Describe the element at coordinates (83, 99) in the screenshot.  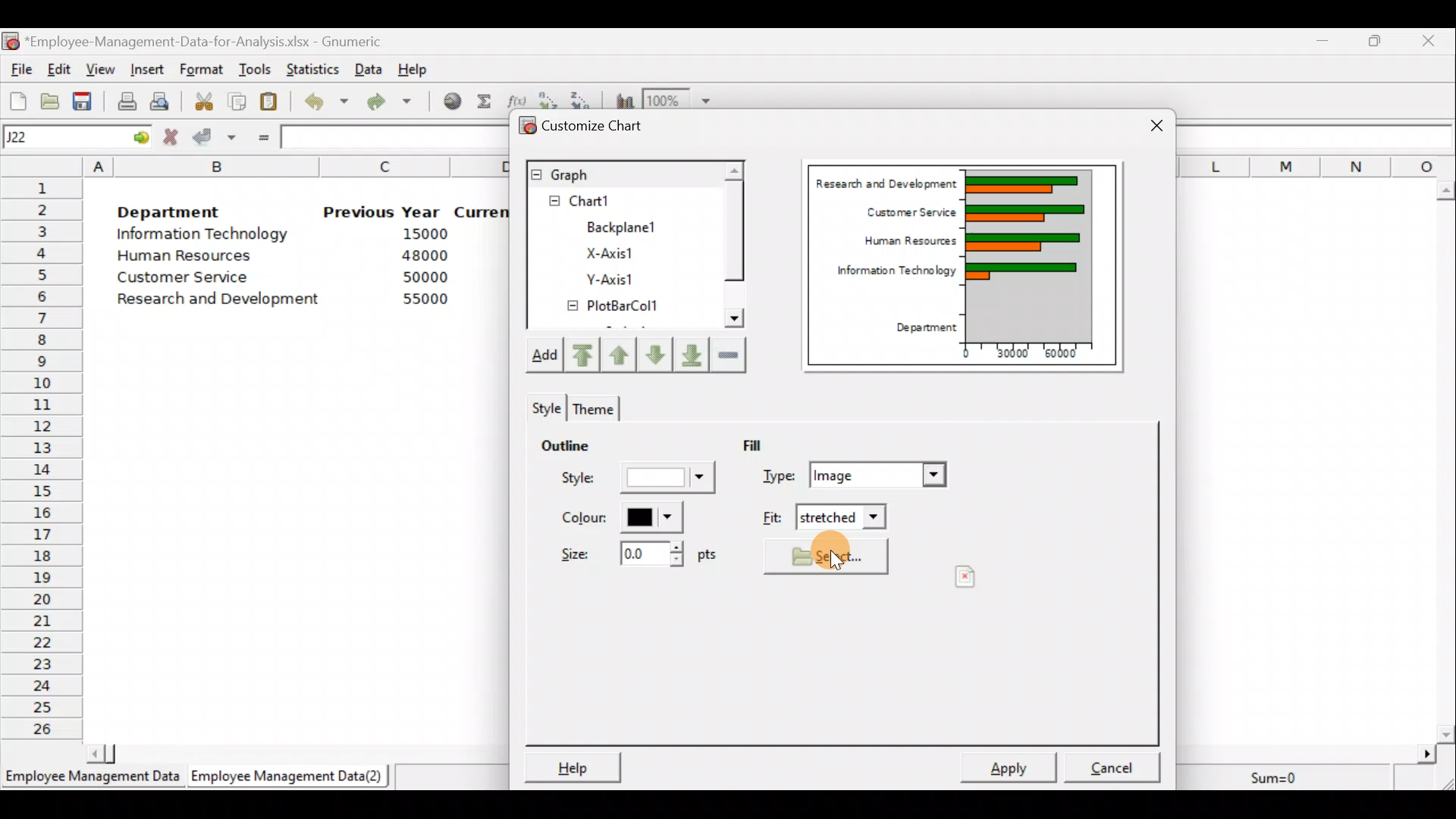
I see `Save the current workbook` at that location.